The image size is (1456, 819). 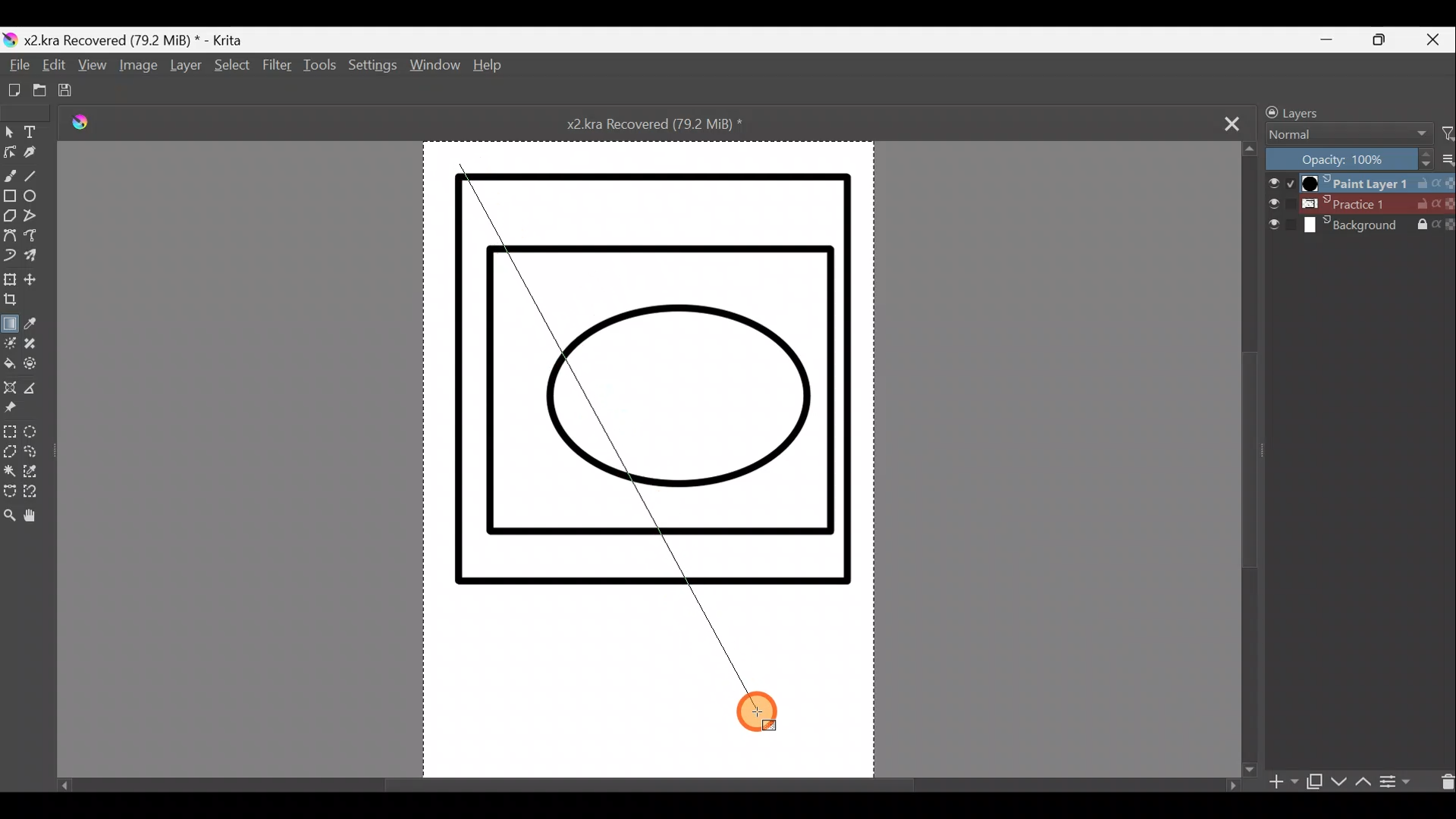 What do you see at coordinates (1360, 204) in the screenshot?
I see `Layer 2` at bounding box center [1360, 204].